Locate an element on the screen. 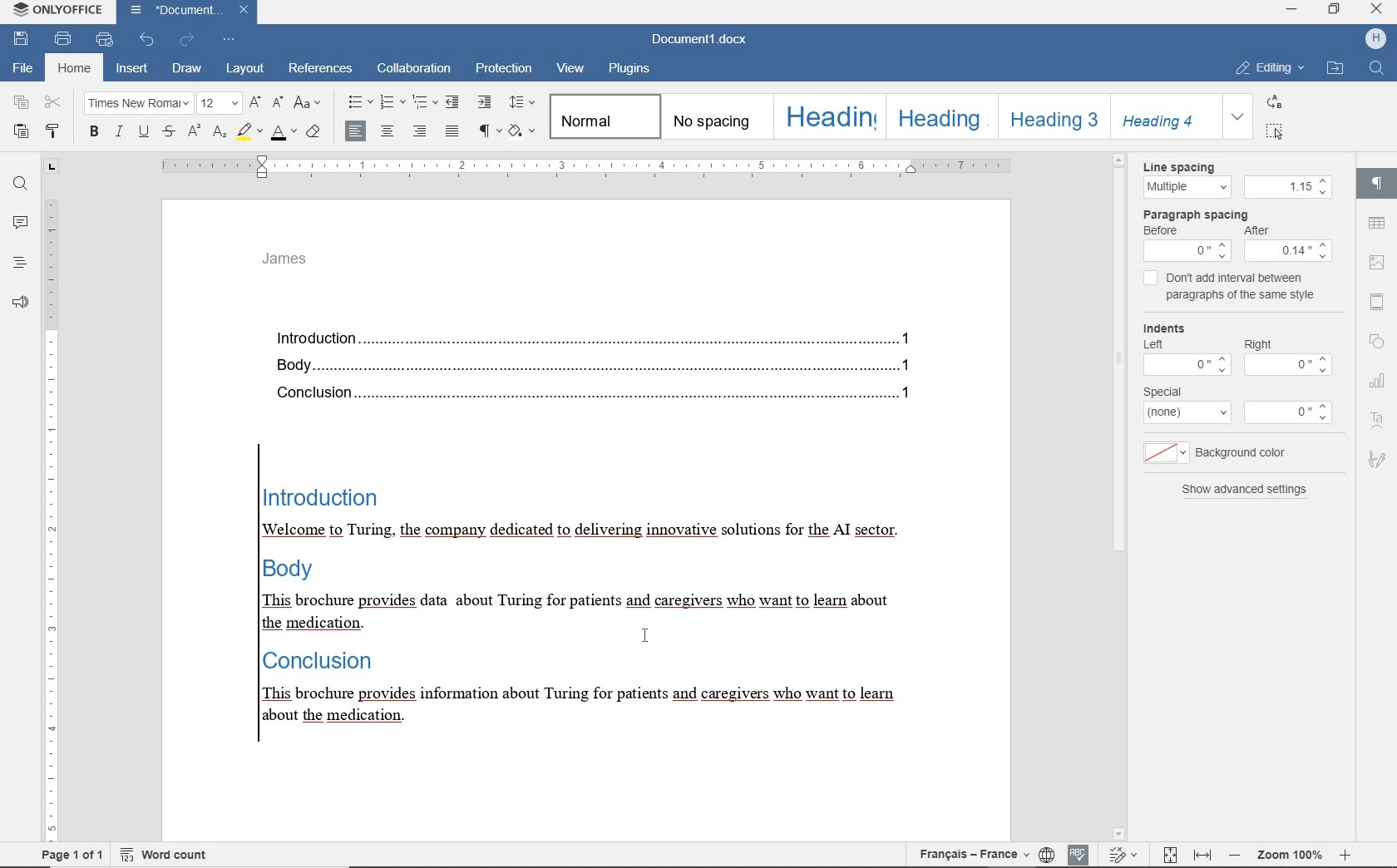  zoom out is located at coordinates (1232, 857).